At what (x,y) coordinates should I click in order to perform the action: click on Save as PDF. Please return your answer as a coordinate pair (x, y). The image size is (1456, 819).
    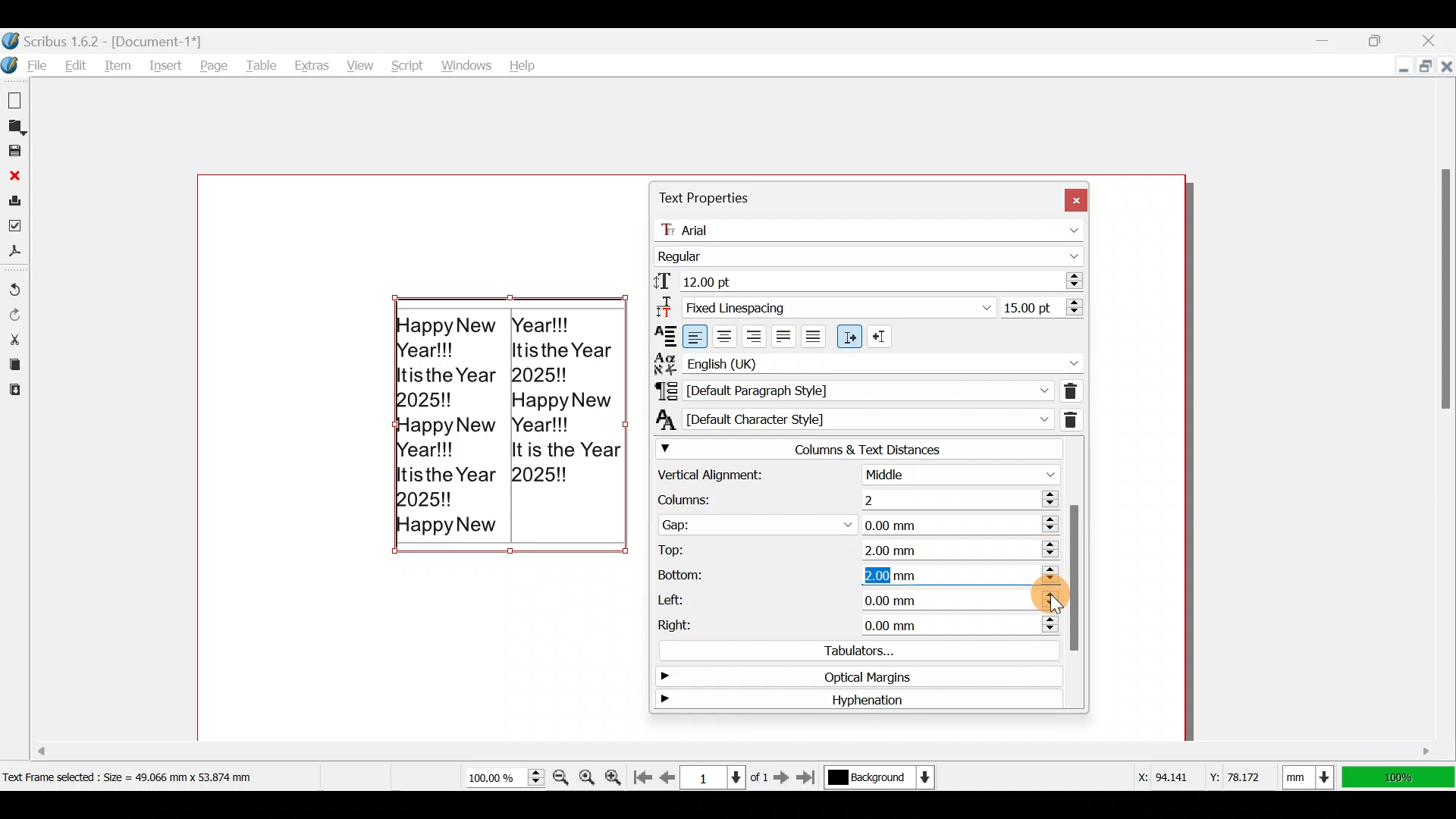
    Looking at the image, I should click on (17, 255).